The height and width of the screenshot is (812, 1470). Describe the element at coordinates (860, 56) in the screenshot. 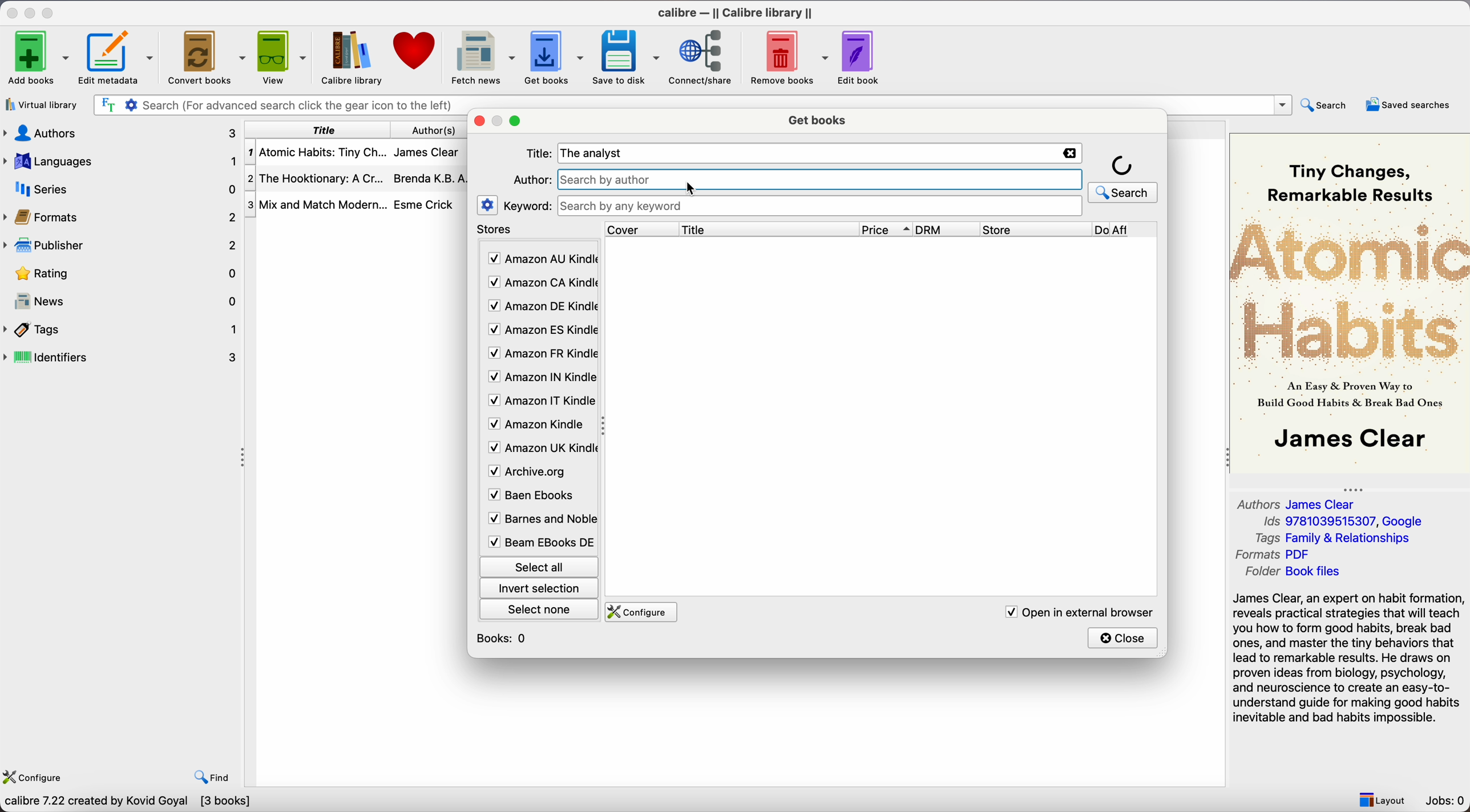

I see `edit book` at that location.